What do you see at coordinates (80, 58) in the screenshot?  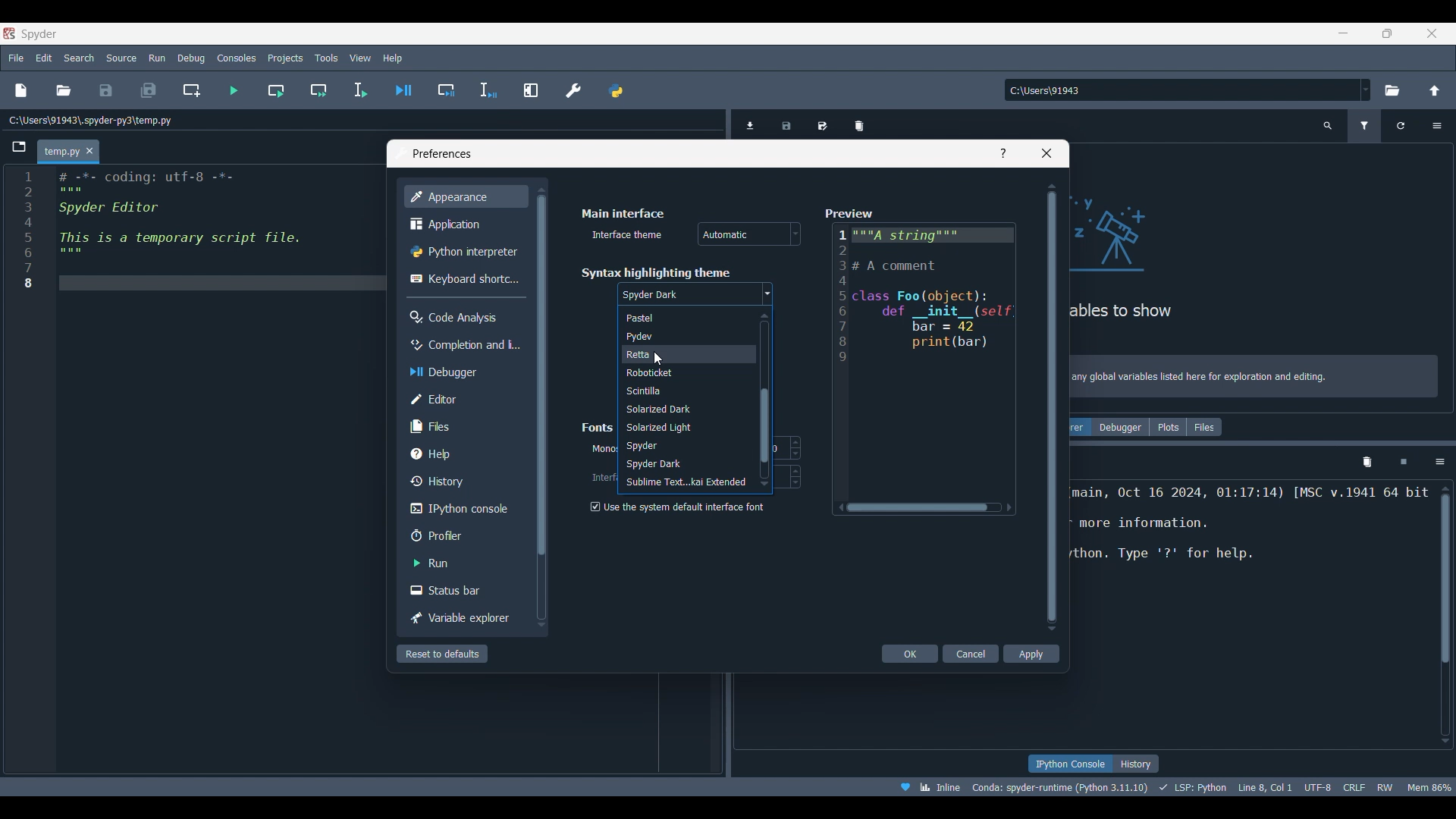 I see `Search menu` at bounding box center [80, 58].